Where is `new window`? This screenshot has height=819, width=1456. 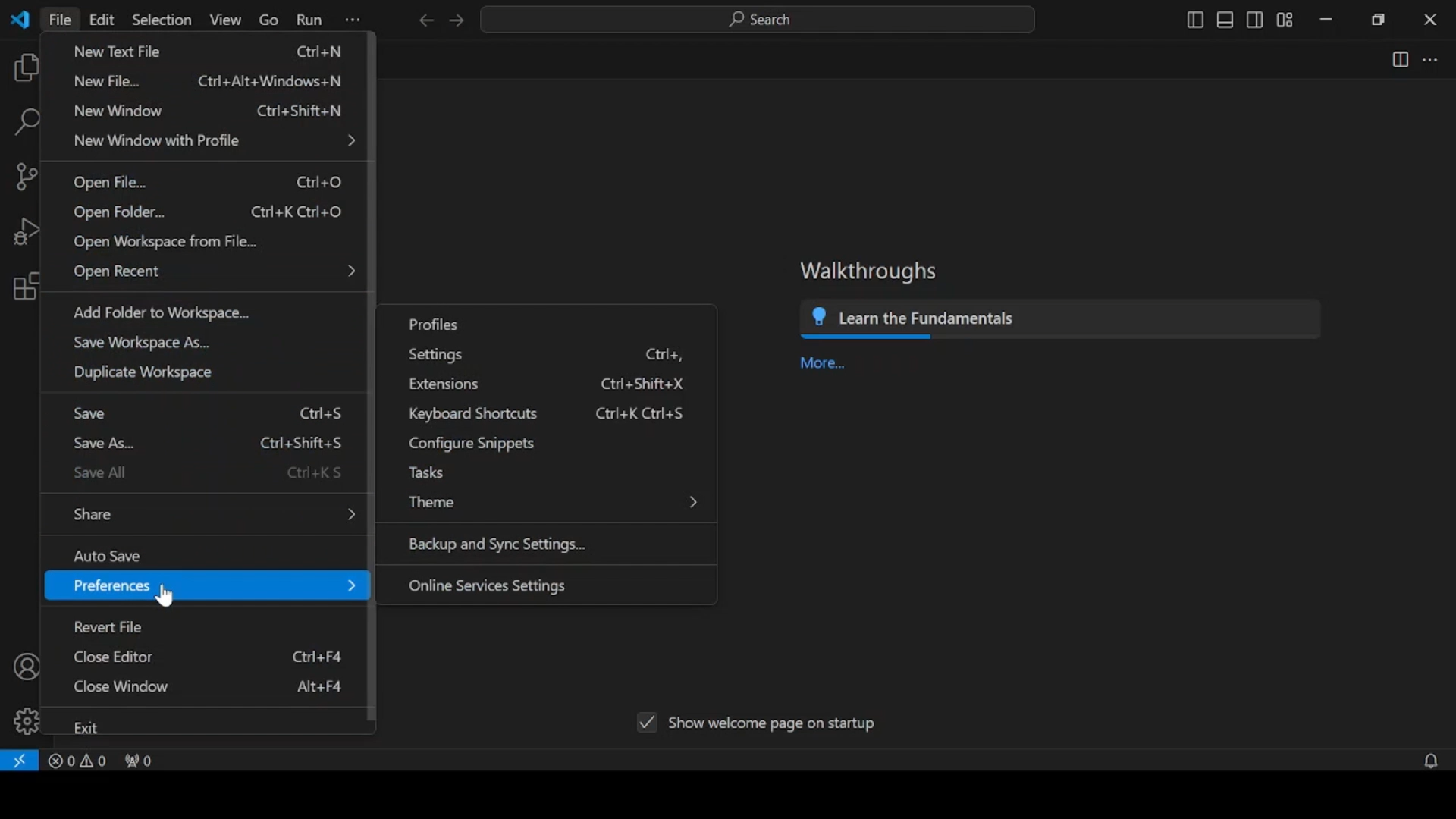 new window is located at coordinates (121, 110).